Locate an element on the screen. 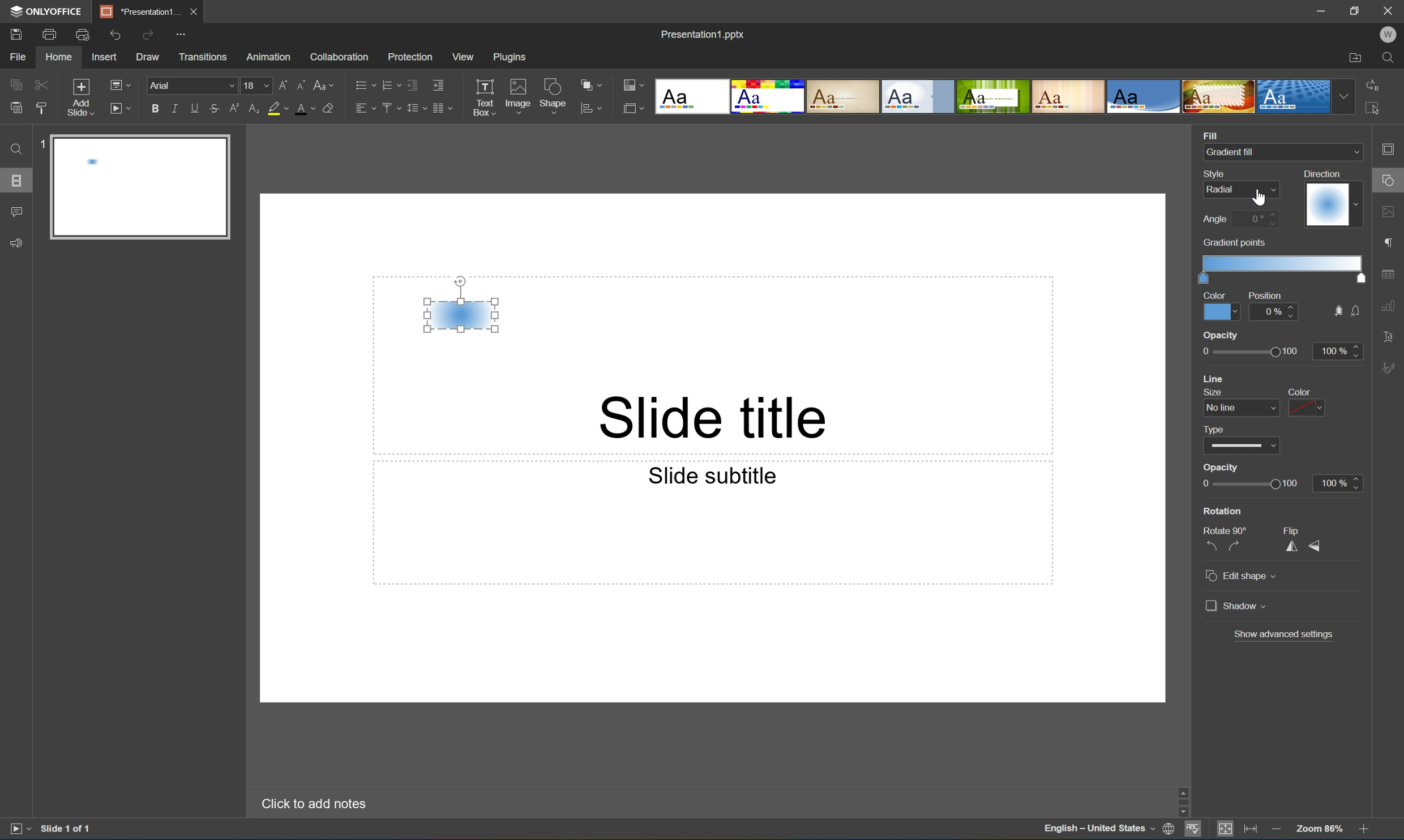 The image size is (1404, 840). Undo is located at coordinates (113, 35).